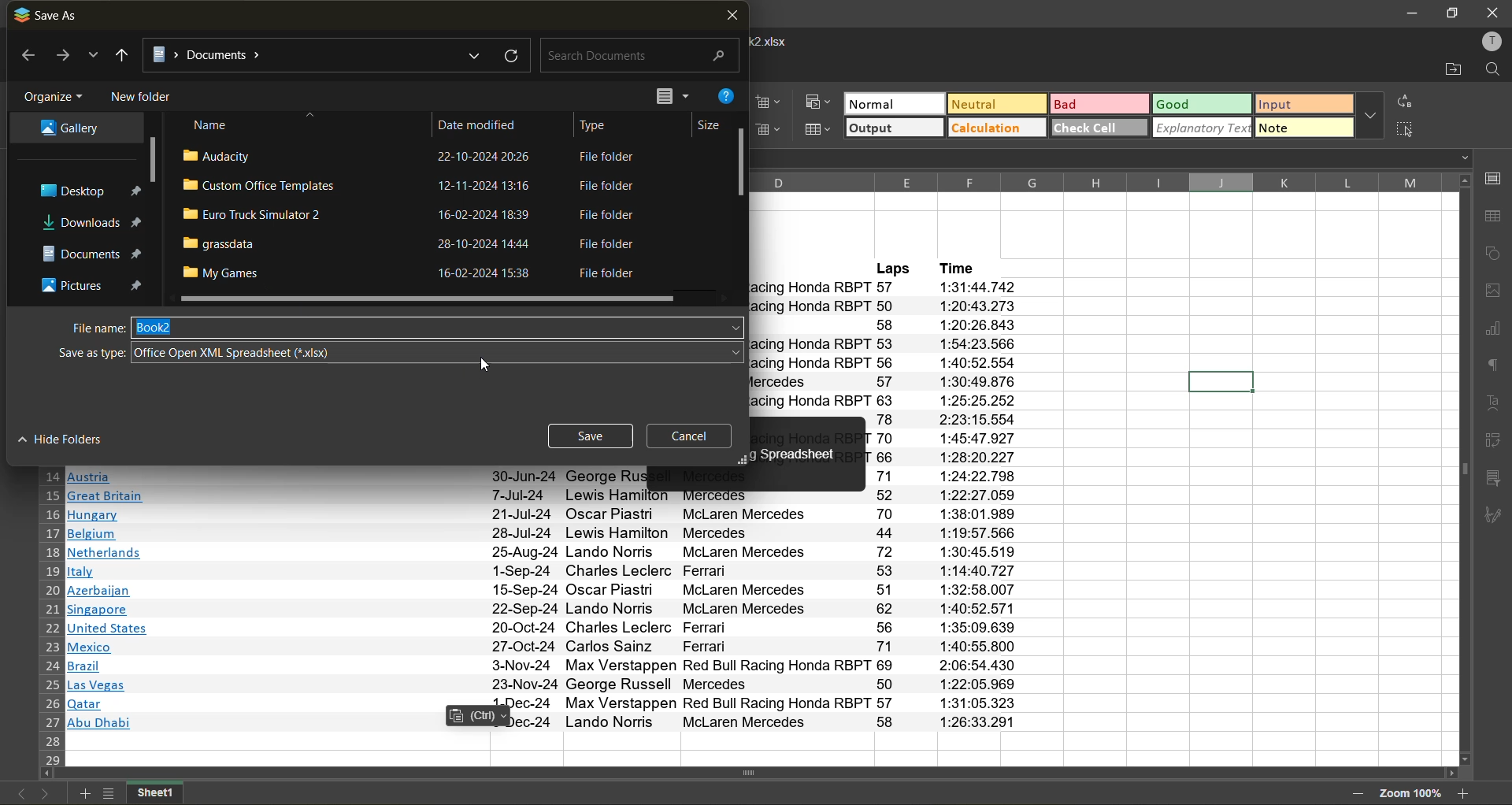  What do you see at coordinates (1101, 103) in the screenshot?
I see `bad` at bounding box center [1101, 103].